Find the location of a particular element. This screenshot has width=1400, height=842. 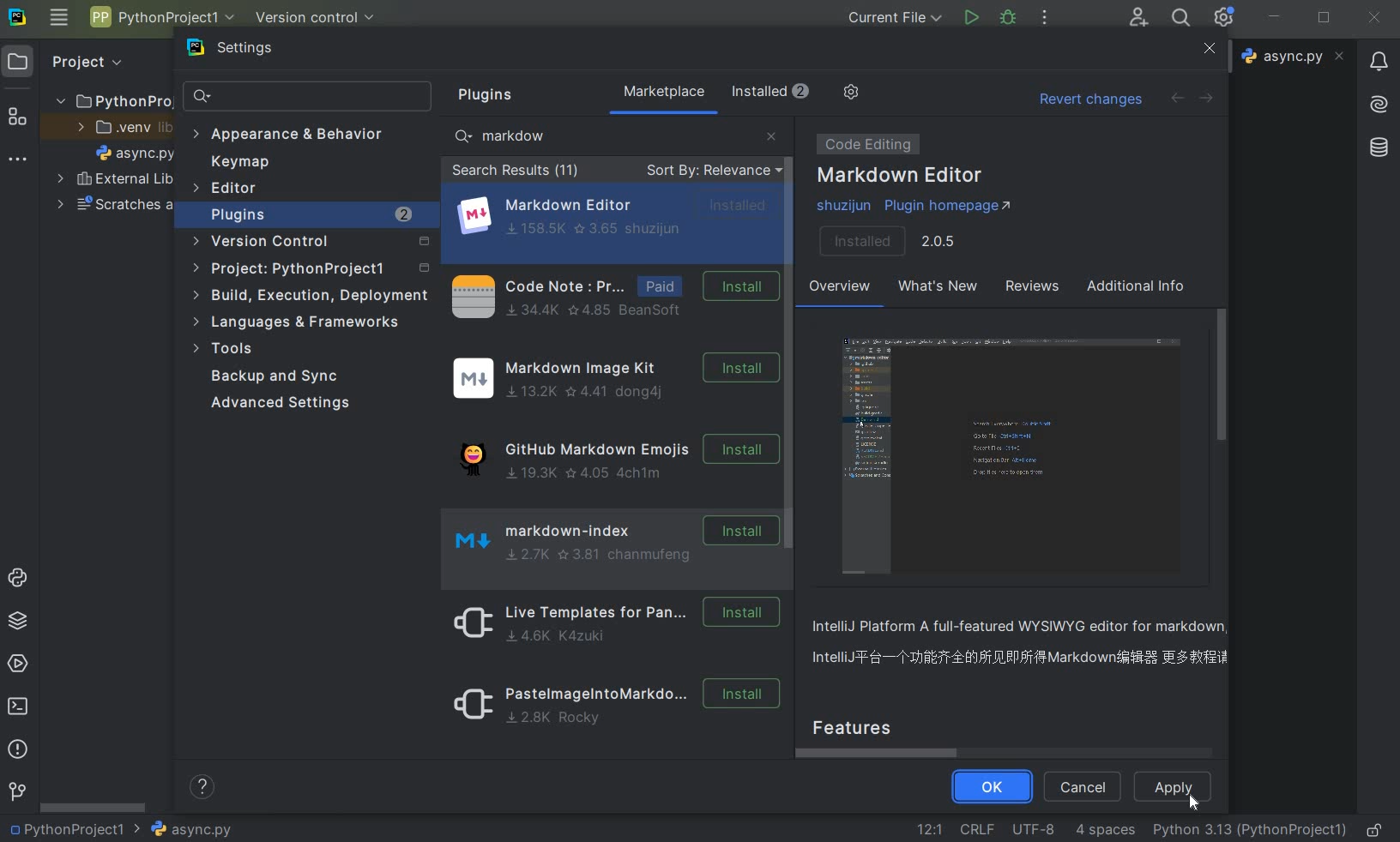

cancel is located at coordinates (1082, 788).